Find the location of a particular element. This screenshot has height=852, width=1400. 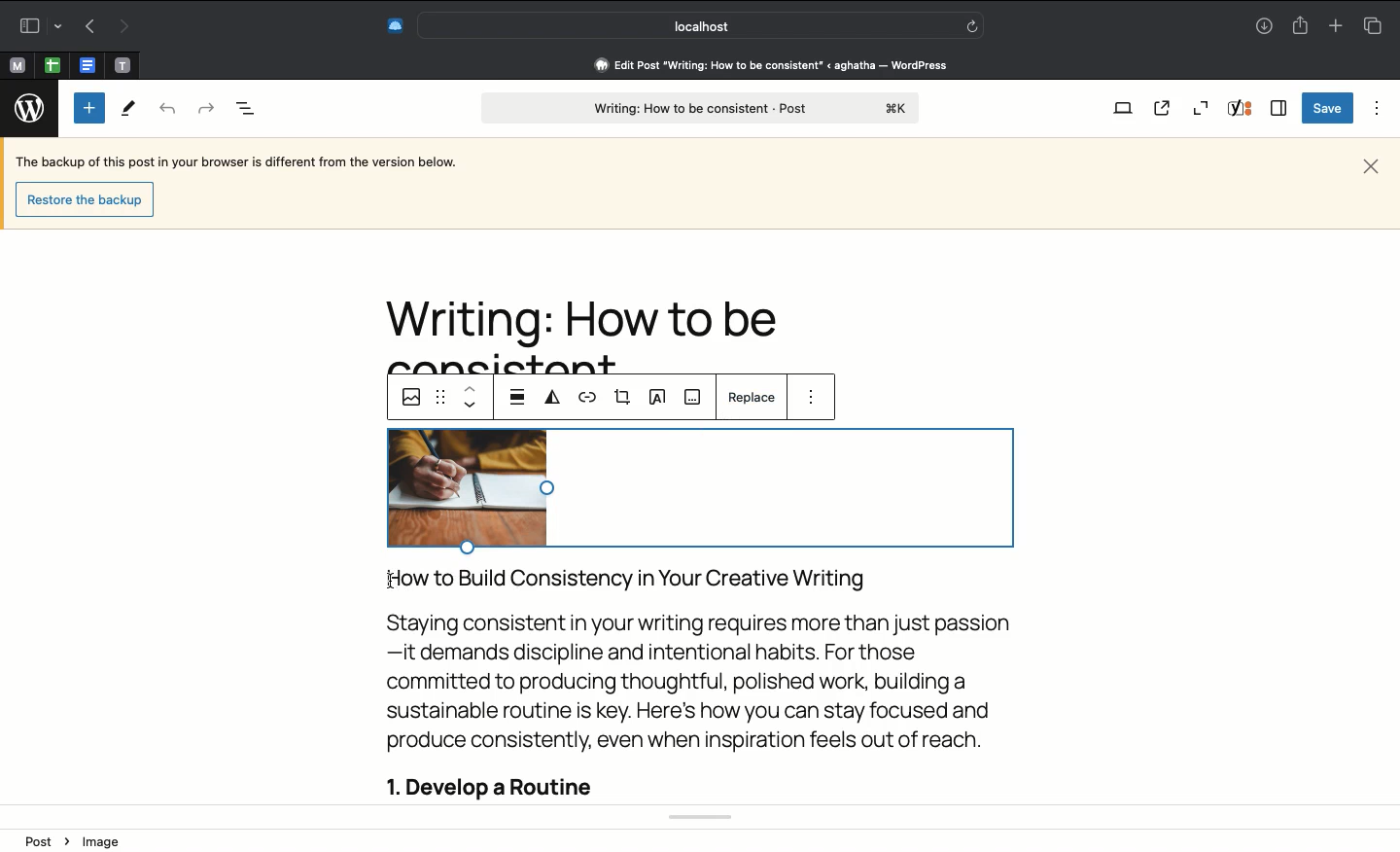

Next page is located at coordinates (122, 28).